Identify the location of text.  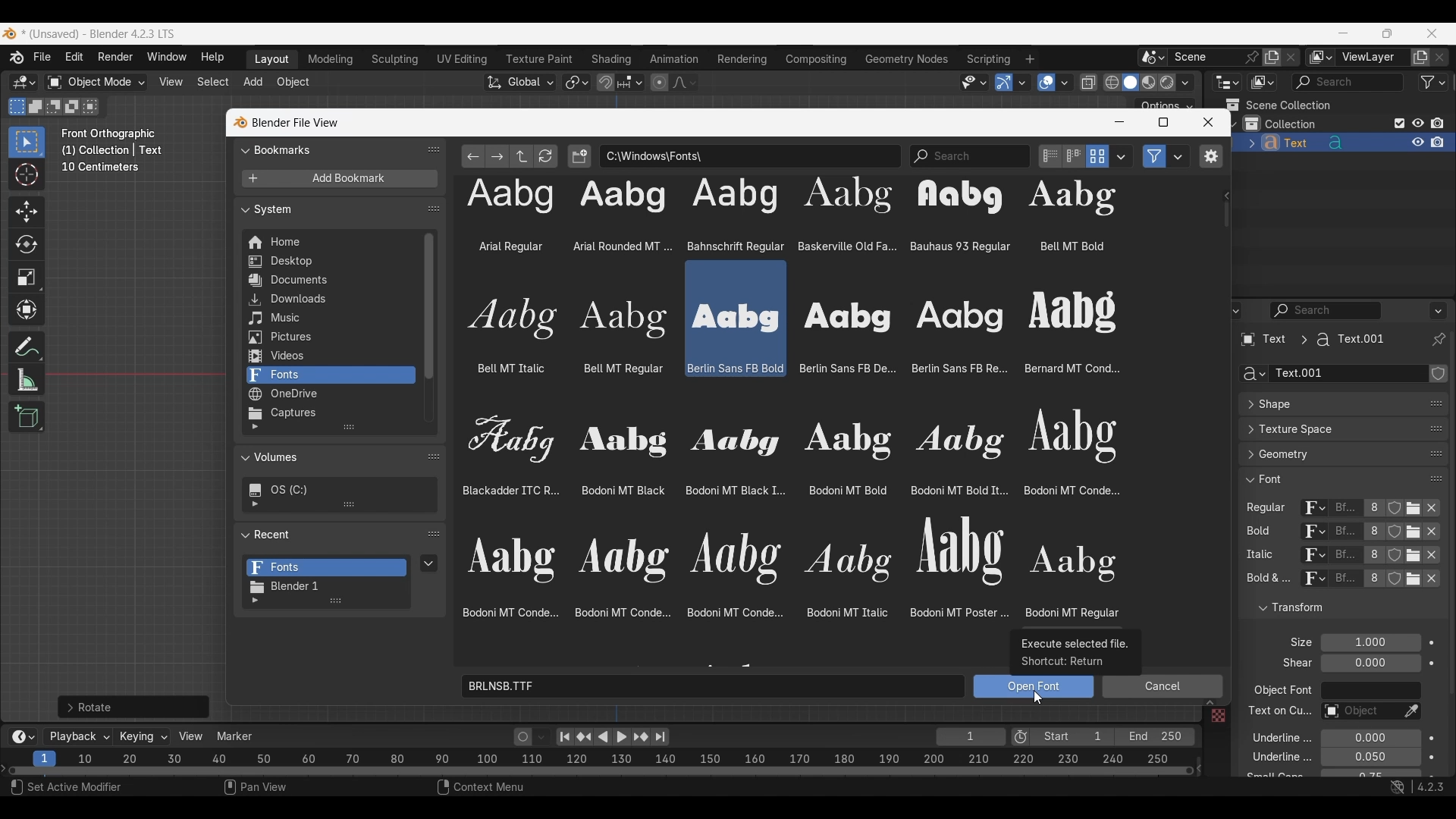
(1272, 776).